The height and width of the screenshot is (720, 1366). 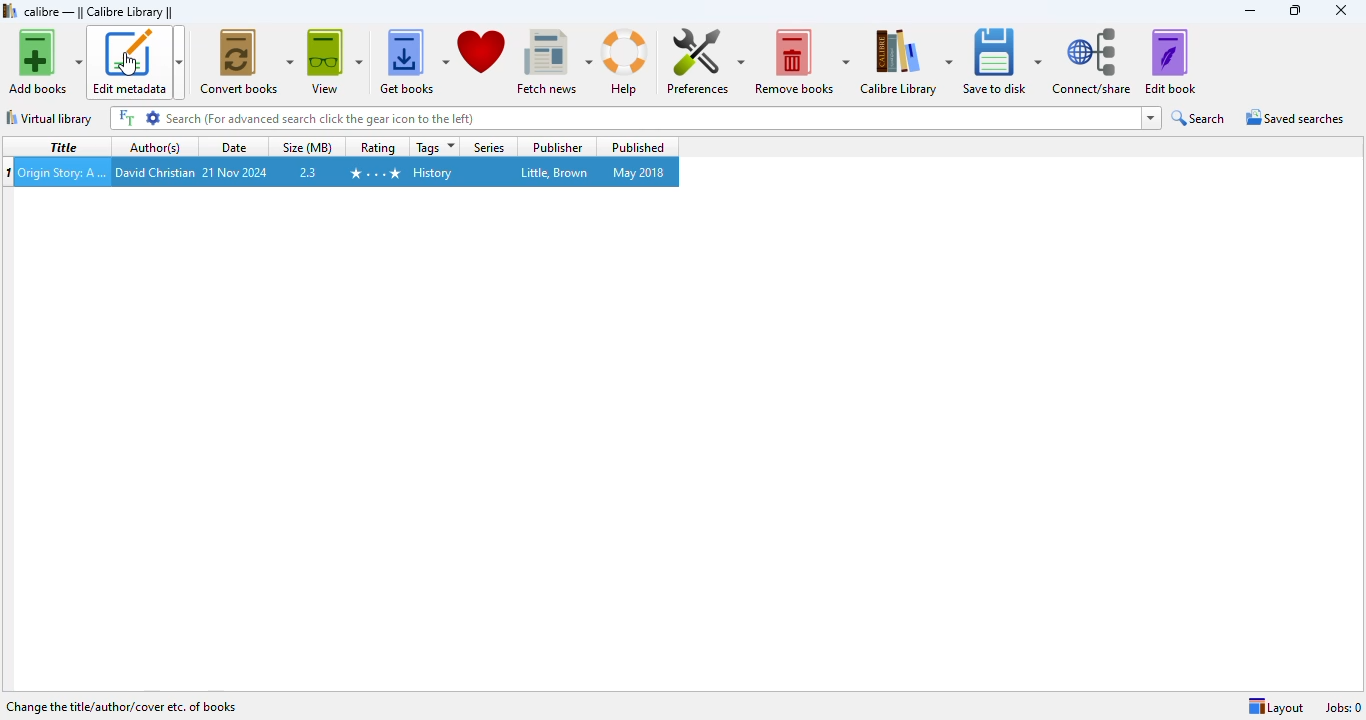 I want to click on change the title/author/cover etc. of books, so click(x=121, y=706).